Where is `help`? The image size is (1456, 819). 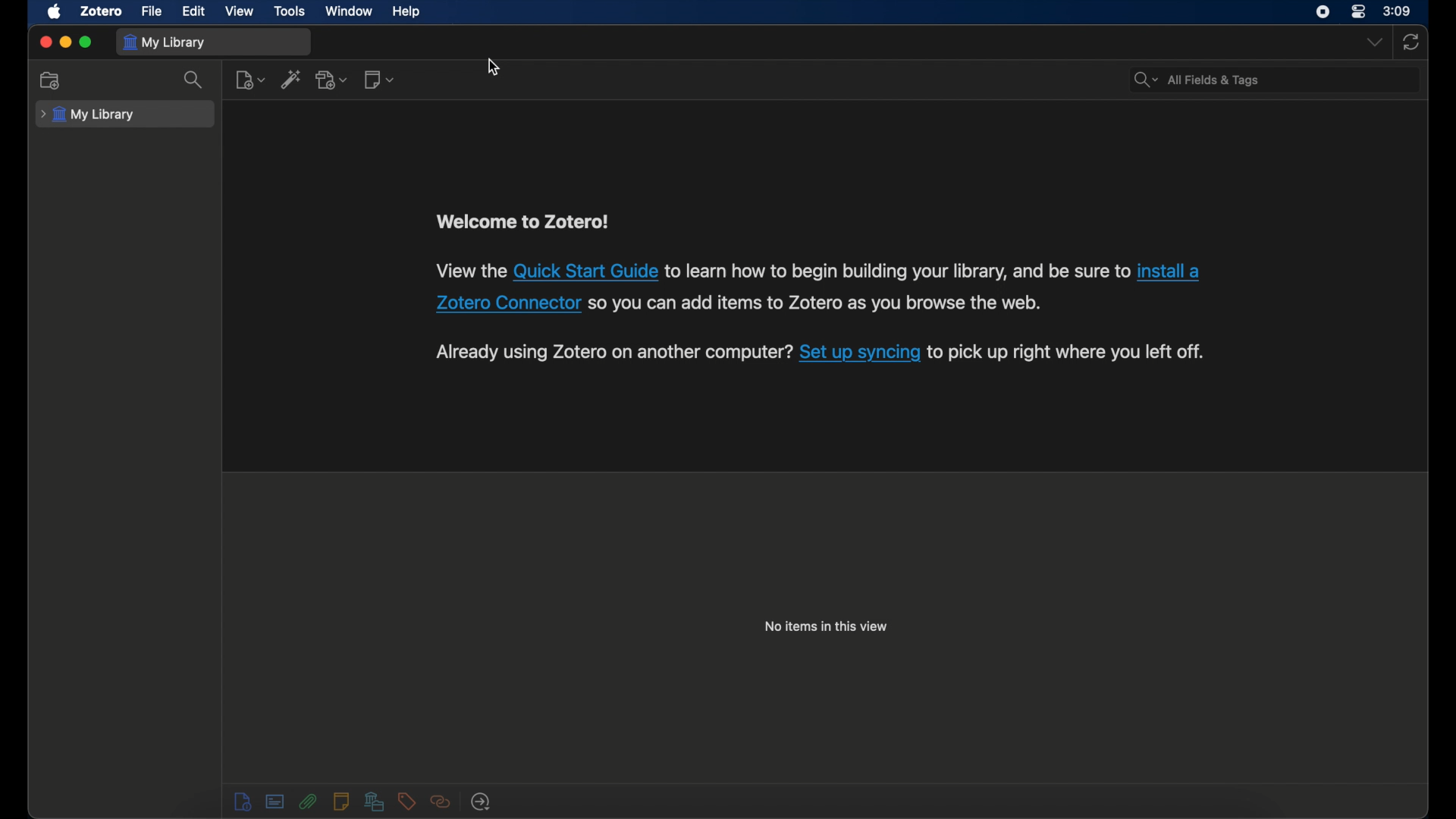
help is located at coordinates (406, 12).